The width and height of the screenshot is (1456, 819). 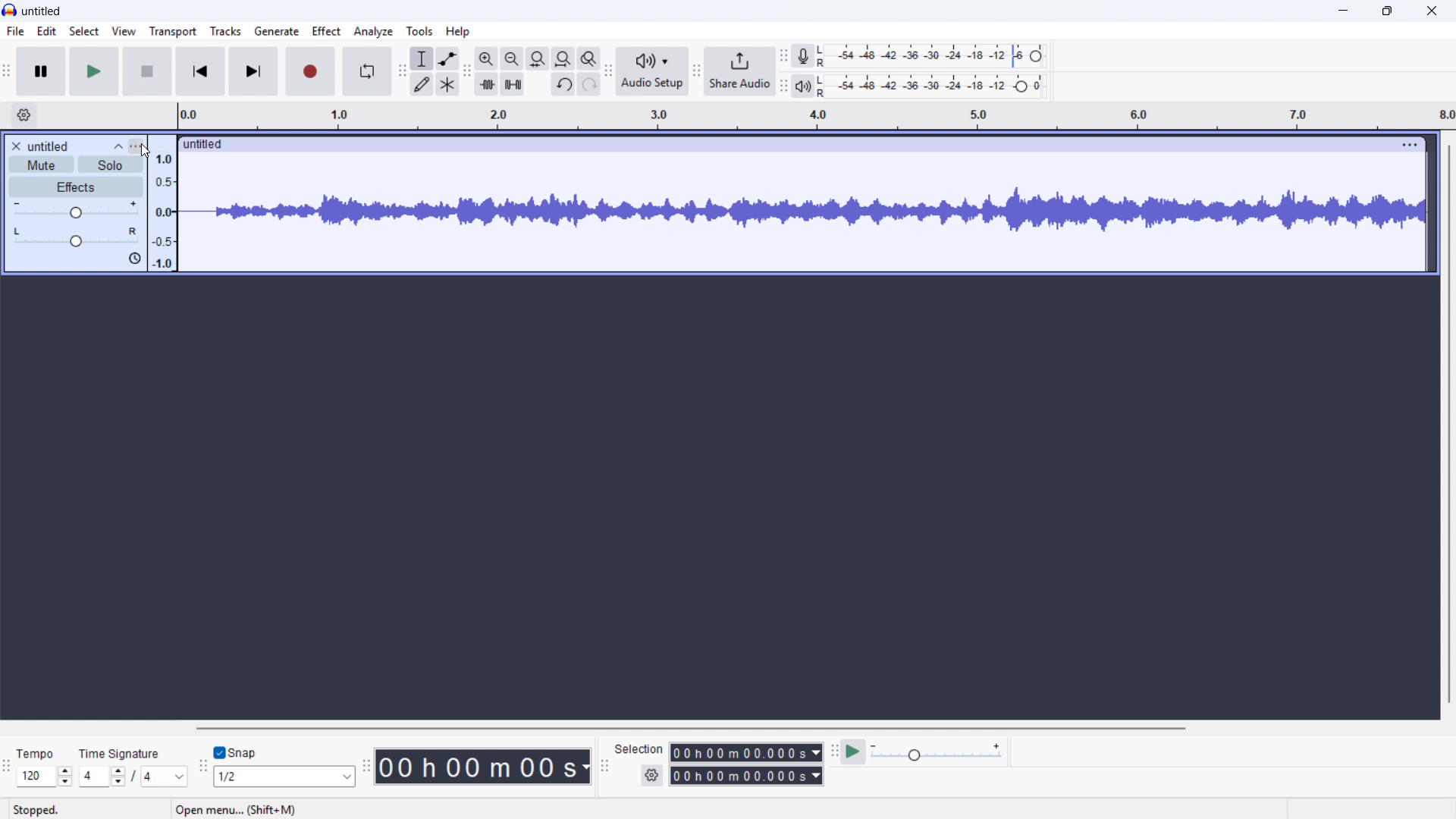 I want to click on untitled, so click(x=42, y=12).